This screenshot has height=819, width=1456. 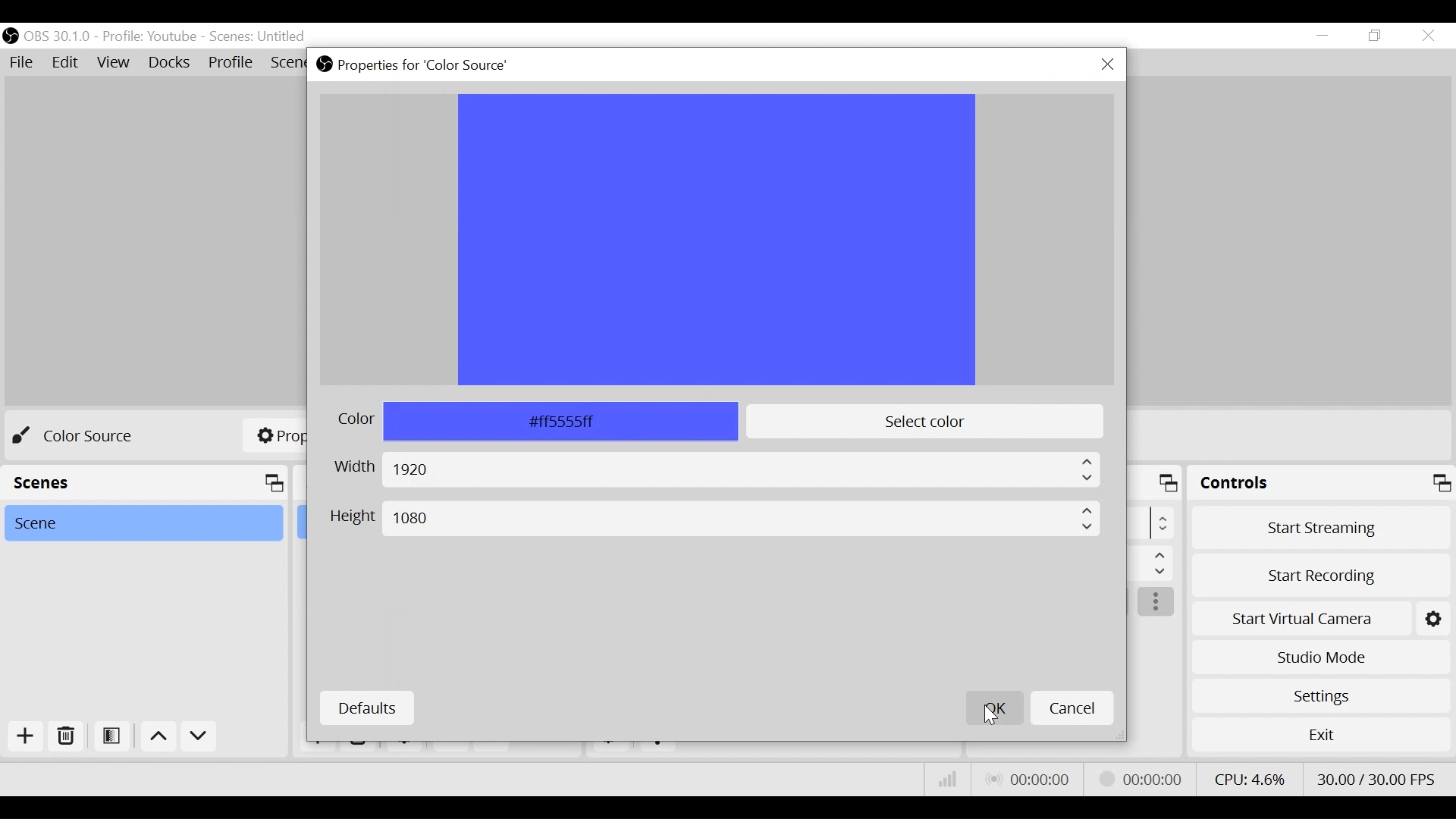 I want to click on Streaming Status, so click(x=1141, y=779).